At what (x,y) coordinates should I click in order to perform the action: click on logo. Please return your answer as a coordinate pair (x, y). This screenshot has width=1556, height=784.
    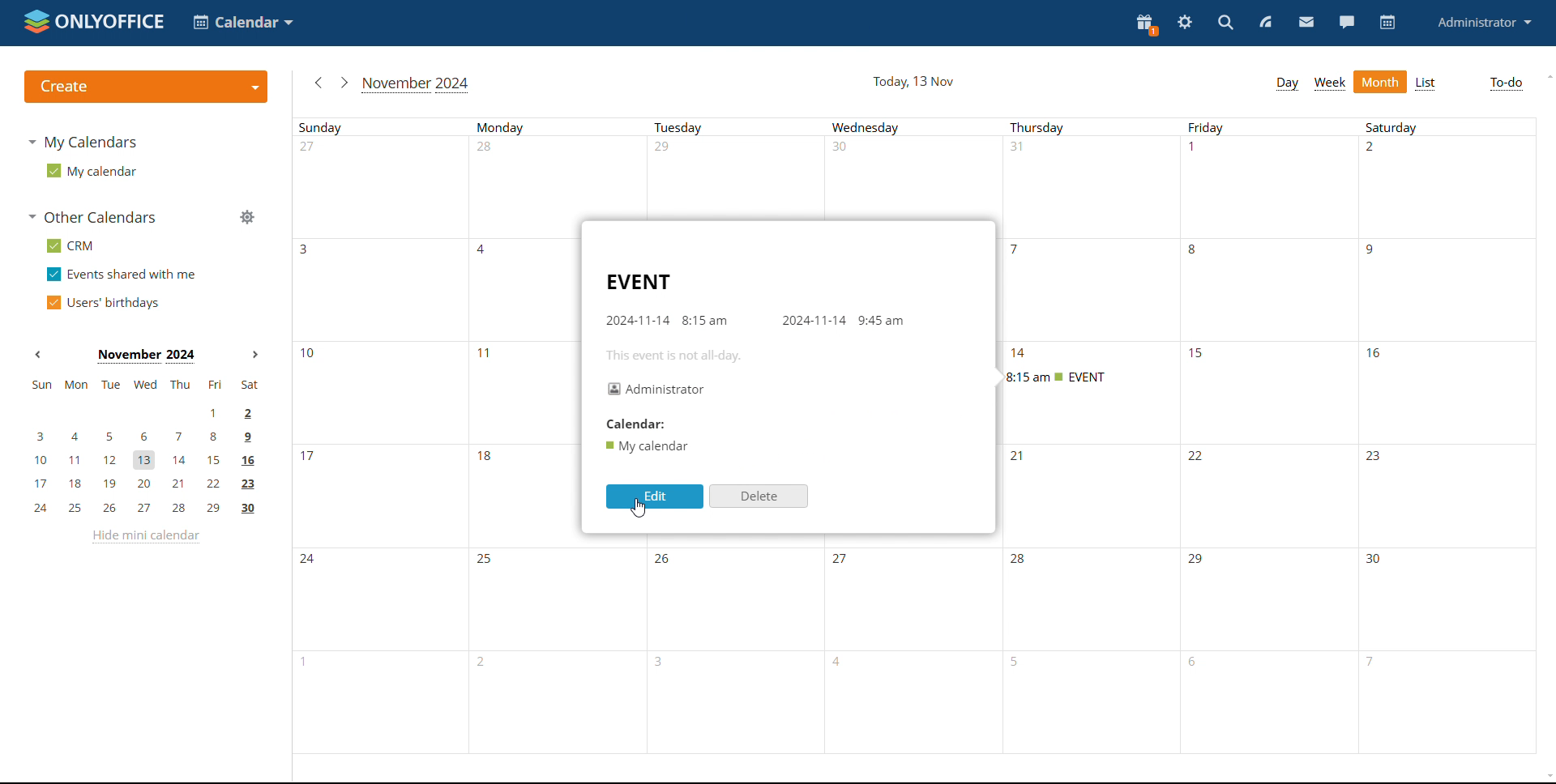
    Looking at the image, I should click on (94, 23).